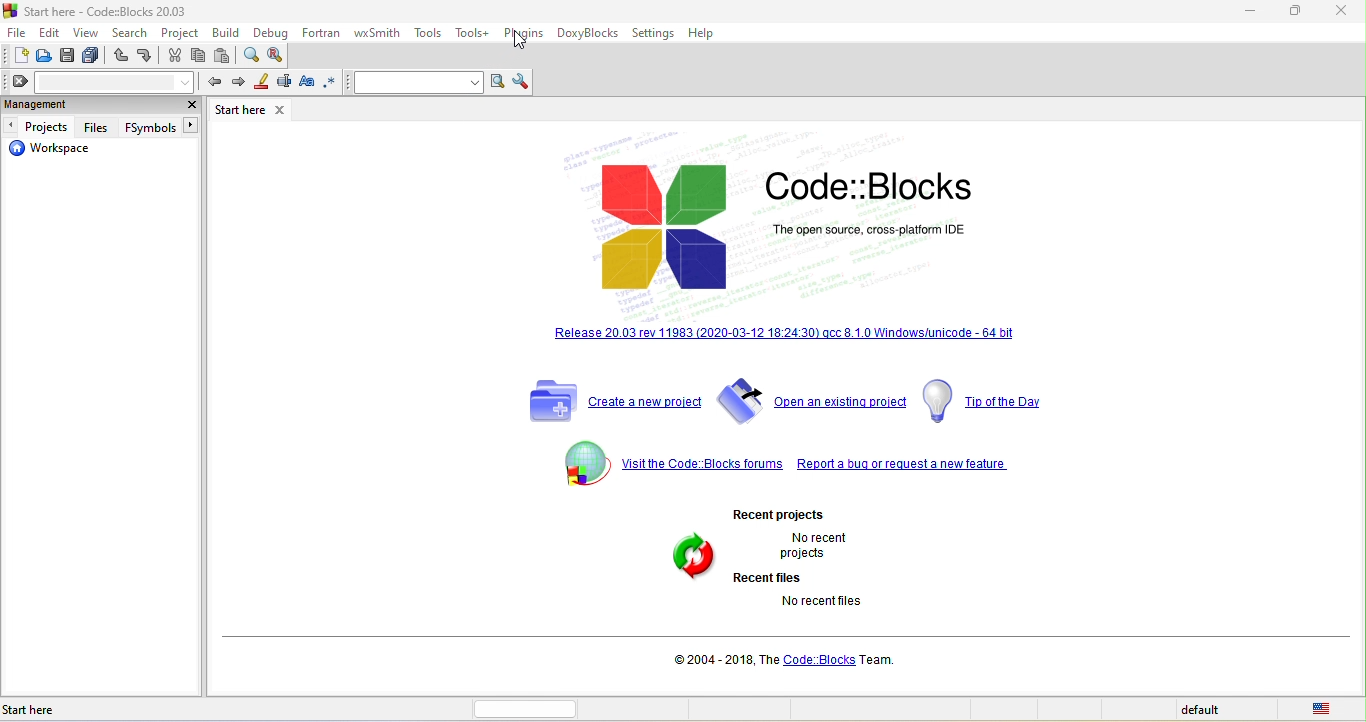 The width and height of the screenshot is (1366, 722). Describe the element at coordinates (815, 403) in the screenshot. I see `open an existing project` at that location.